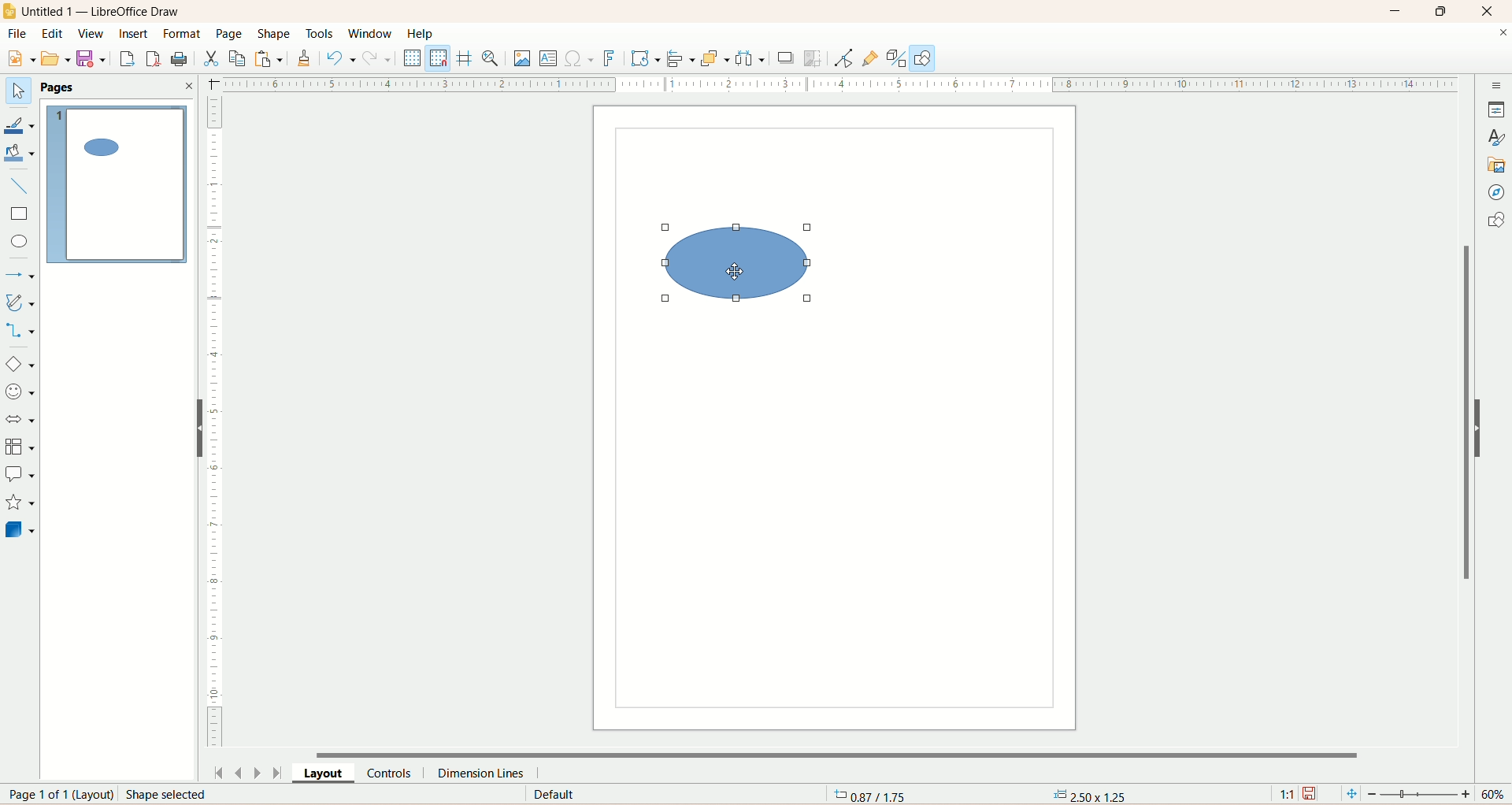 The height and width of the screenshot is (805, 1512). What do you see at coordinates (20, 33) in the screenshot?
I see `file` at bounding box center [20, 33].